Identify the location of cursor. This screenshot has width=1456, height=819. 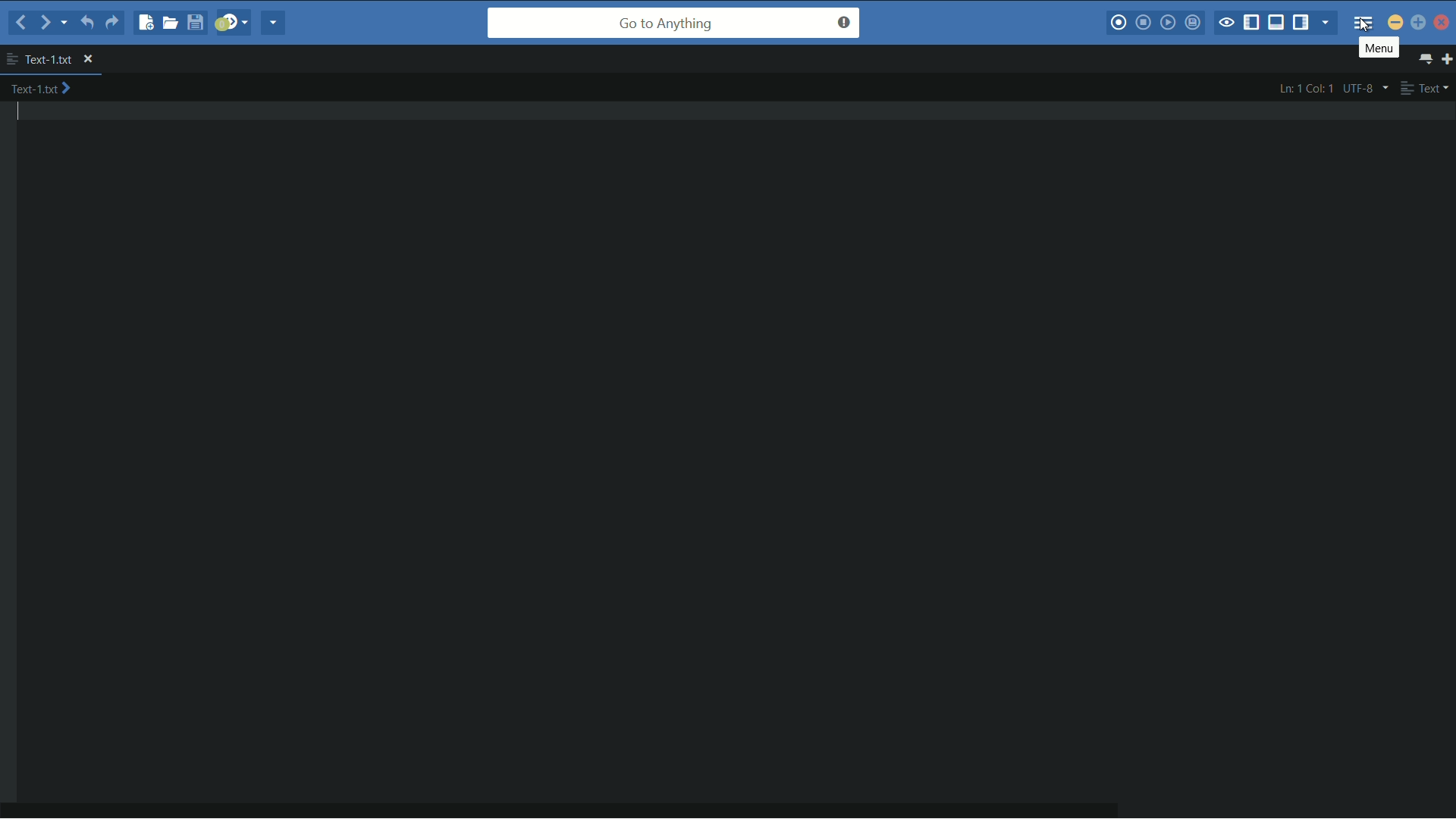
(1367, 27).